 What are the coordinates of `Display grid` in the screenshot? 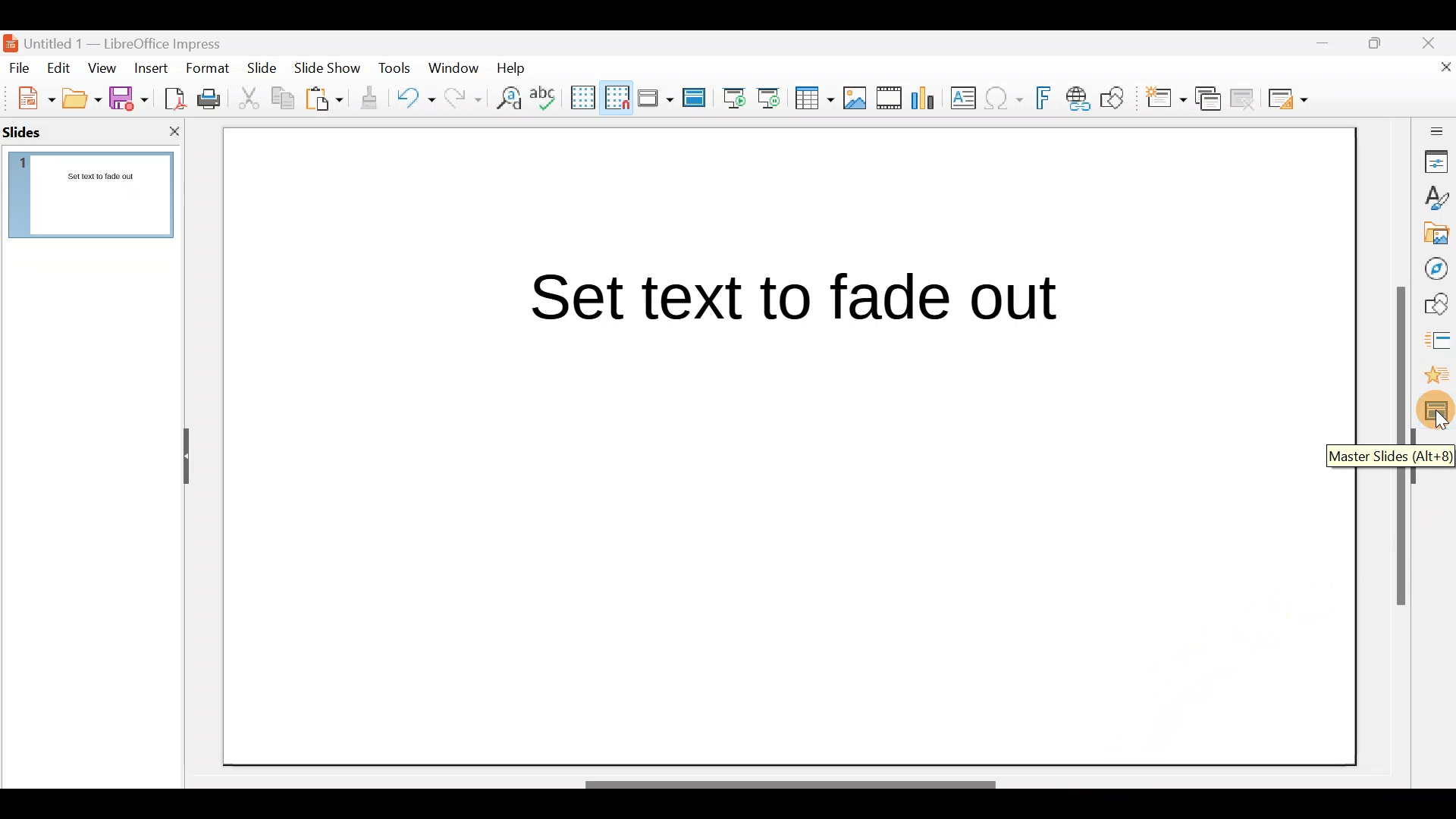 It's located at (582, 96).